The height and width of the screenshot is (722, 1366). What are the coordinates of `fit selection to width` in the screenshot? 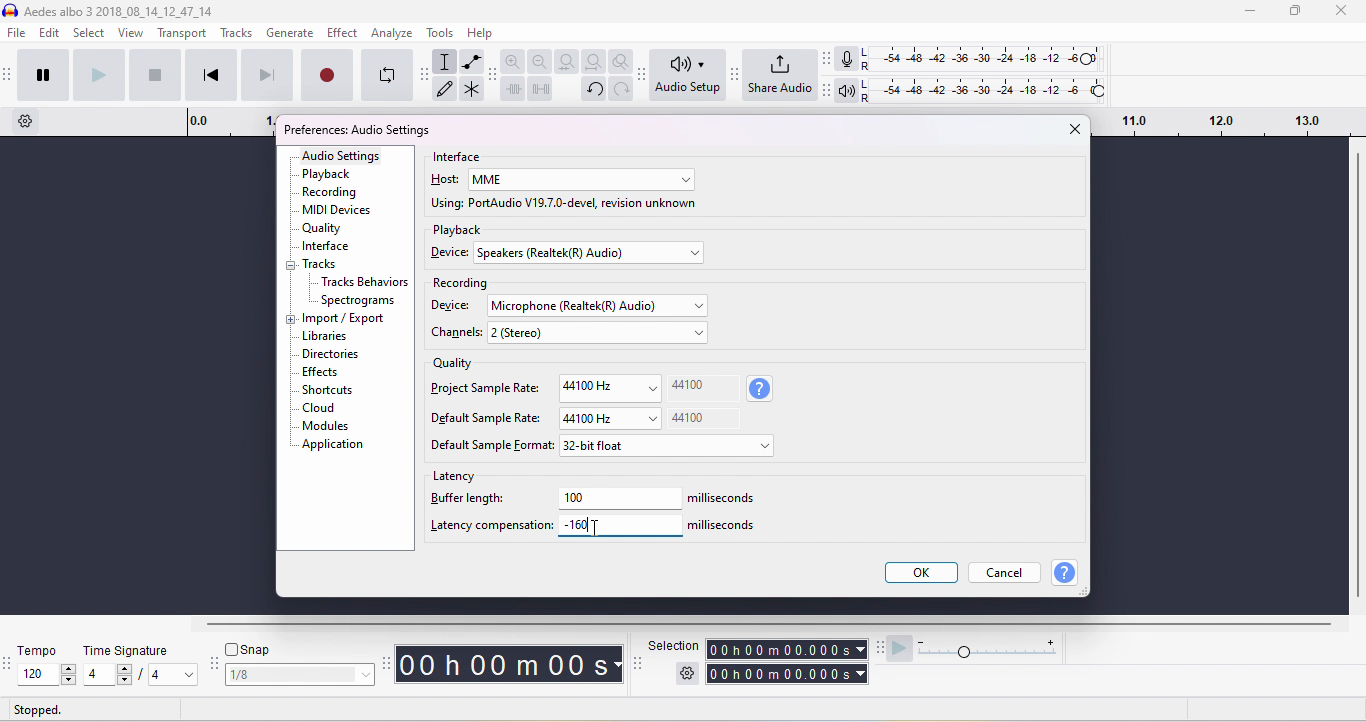 It's located at (569, 62).